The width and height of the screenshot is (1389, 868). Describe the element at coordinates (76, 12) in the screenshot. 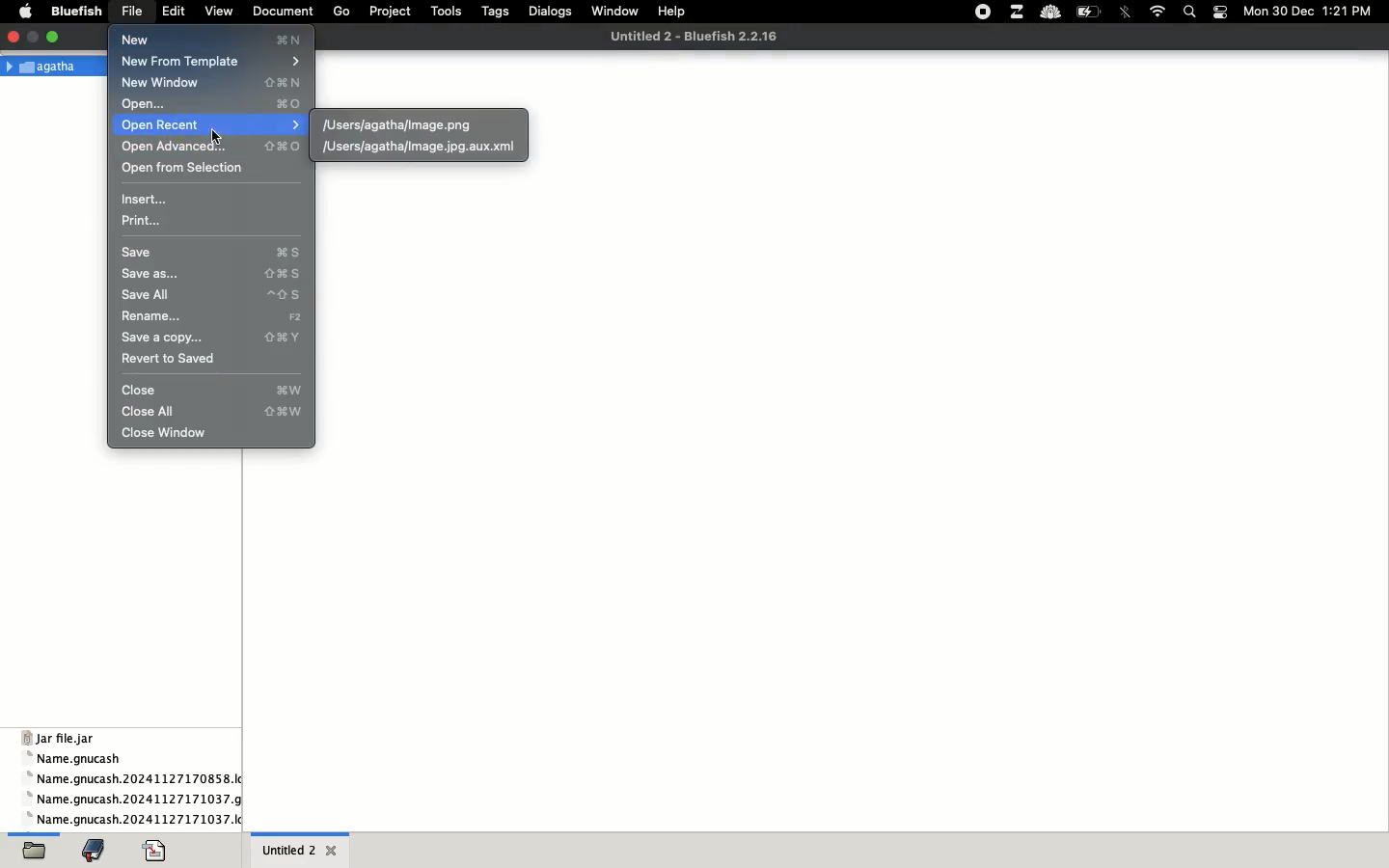

I see `bluefish` at that location.